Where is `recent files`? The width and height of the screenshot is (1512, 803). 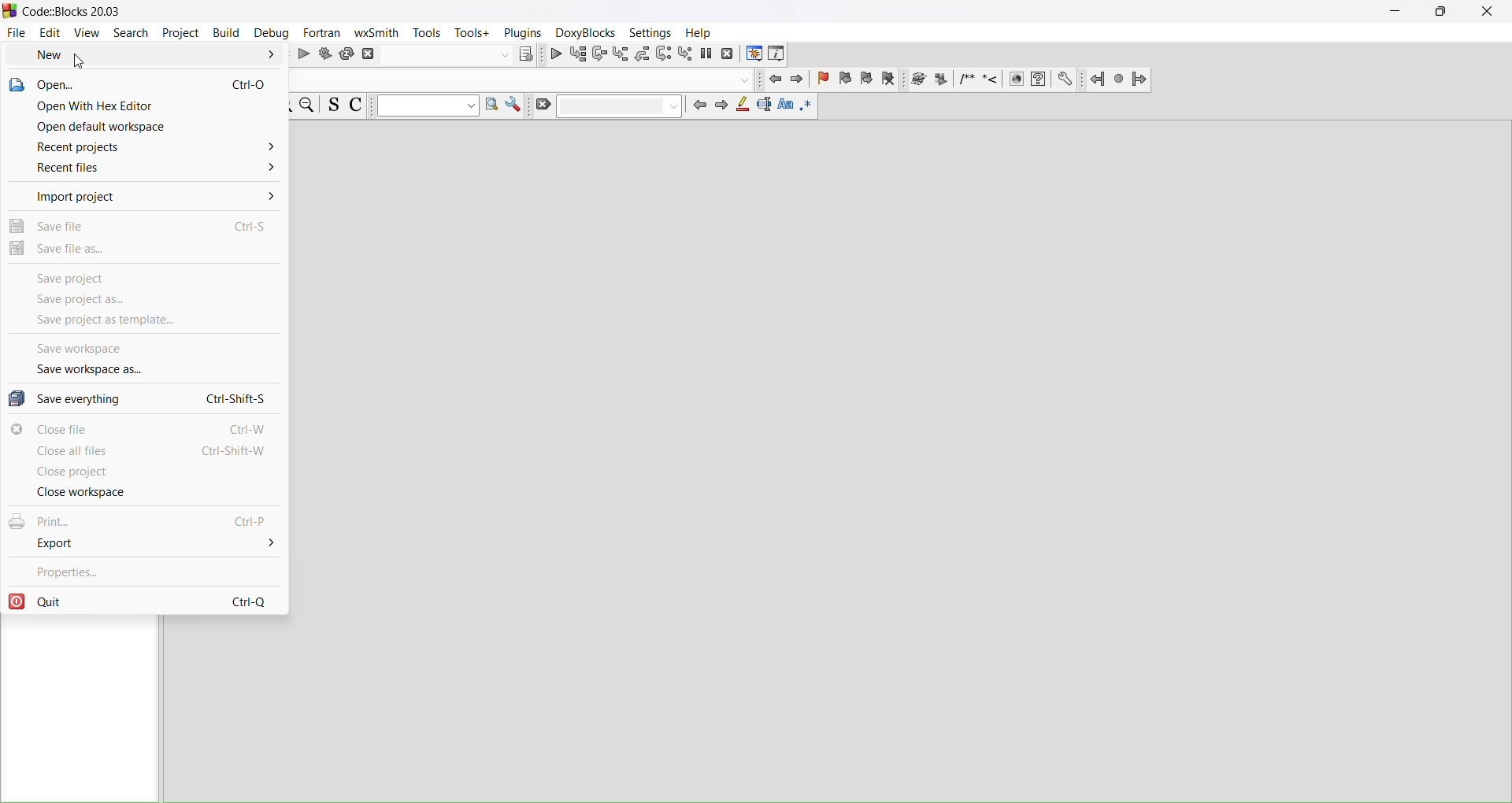 recent files is located at coordinates (145, 168).